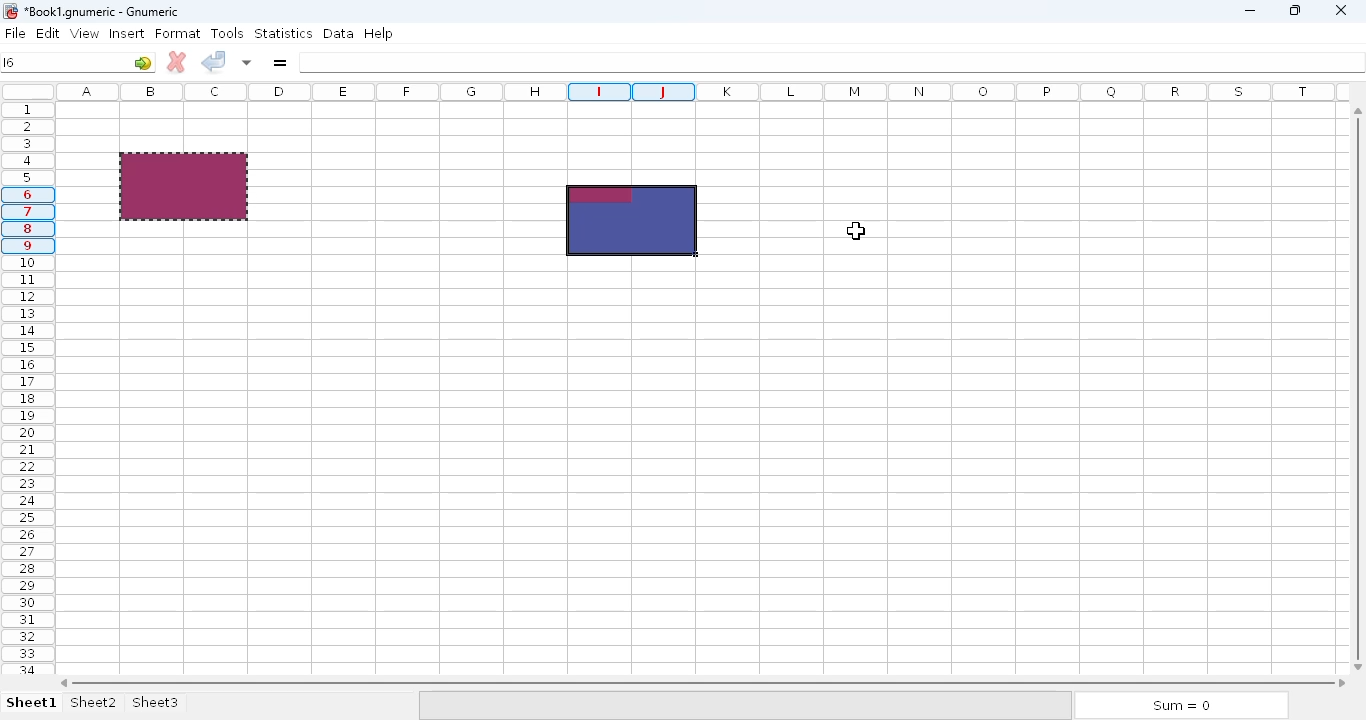  What do you see at coordinates (93, 703) in the screenshot?
I see `sheet2` at bounding box center [93, 703].